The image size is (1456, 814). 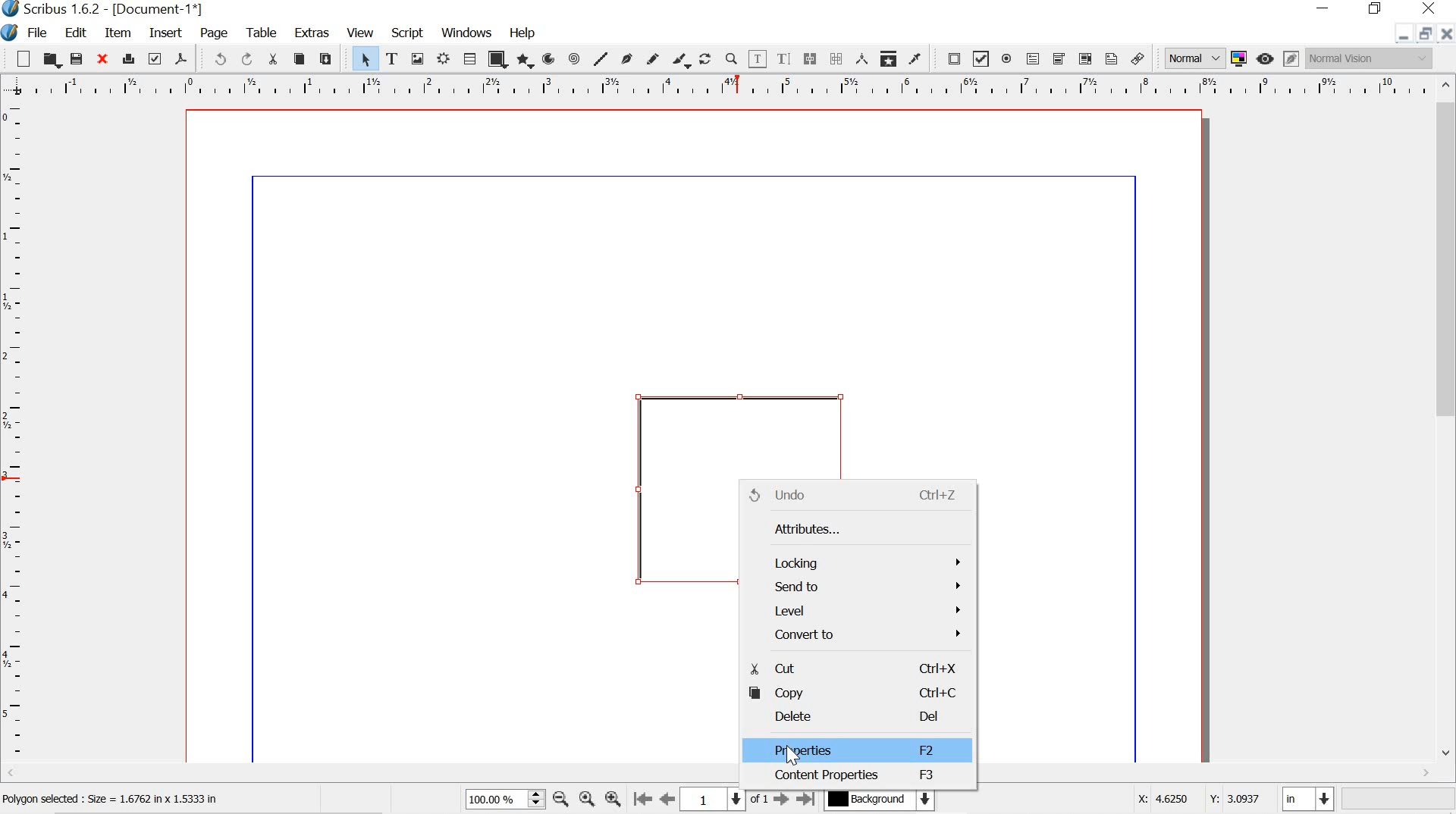 I want to click on ruler, so click(x=14, y=440).